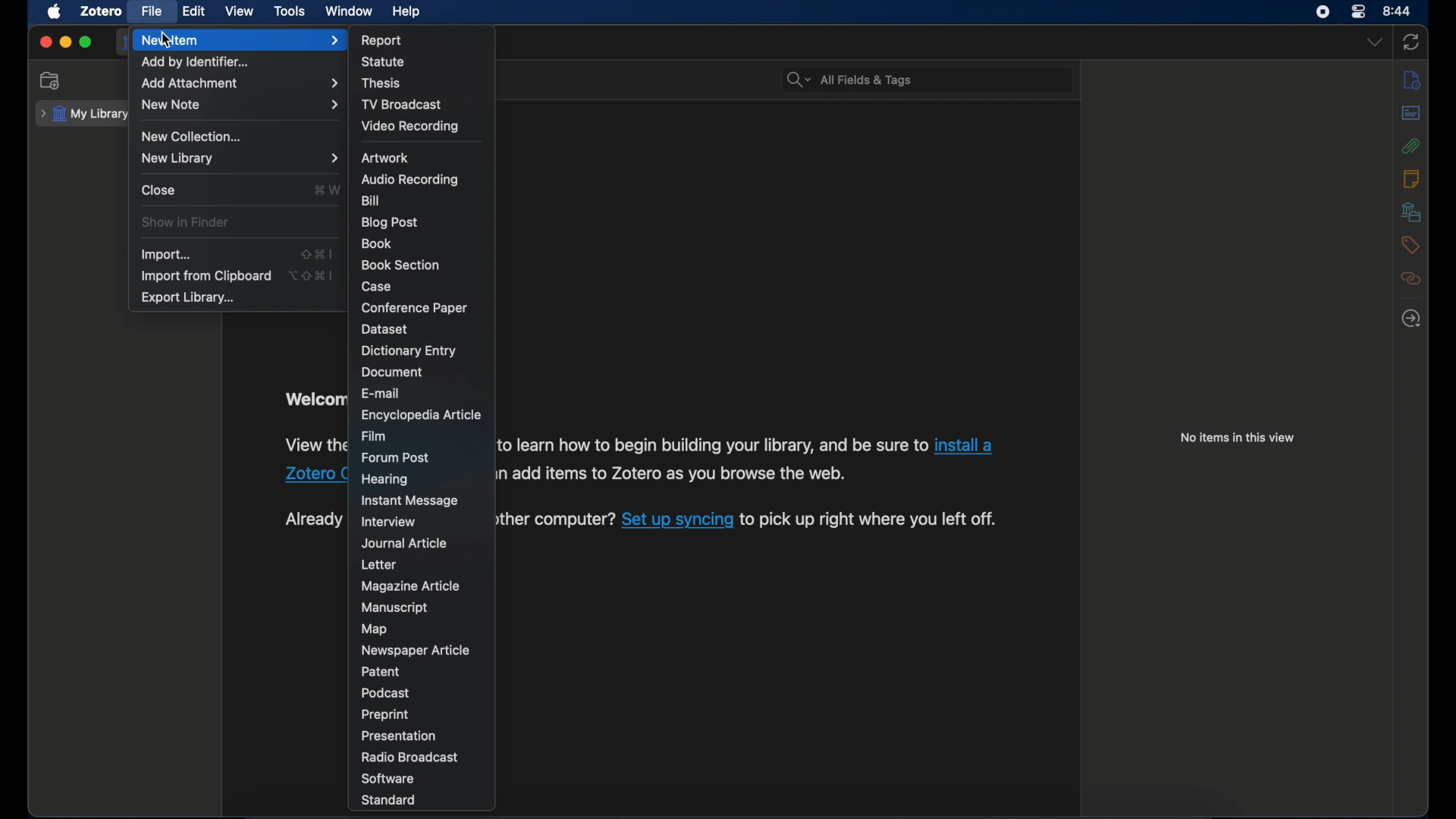 This screenshot has width=1456, height=819. What do you see at coordinates (377, 243) in the screenshot?
I see `book` at bounding box center [377, 243].